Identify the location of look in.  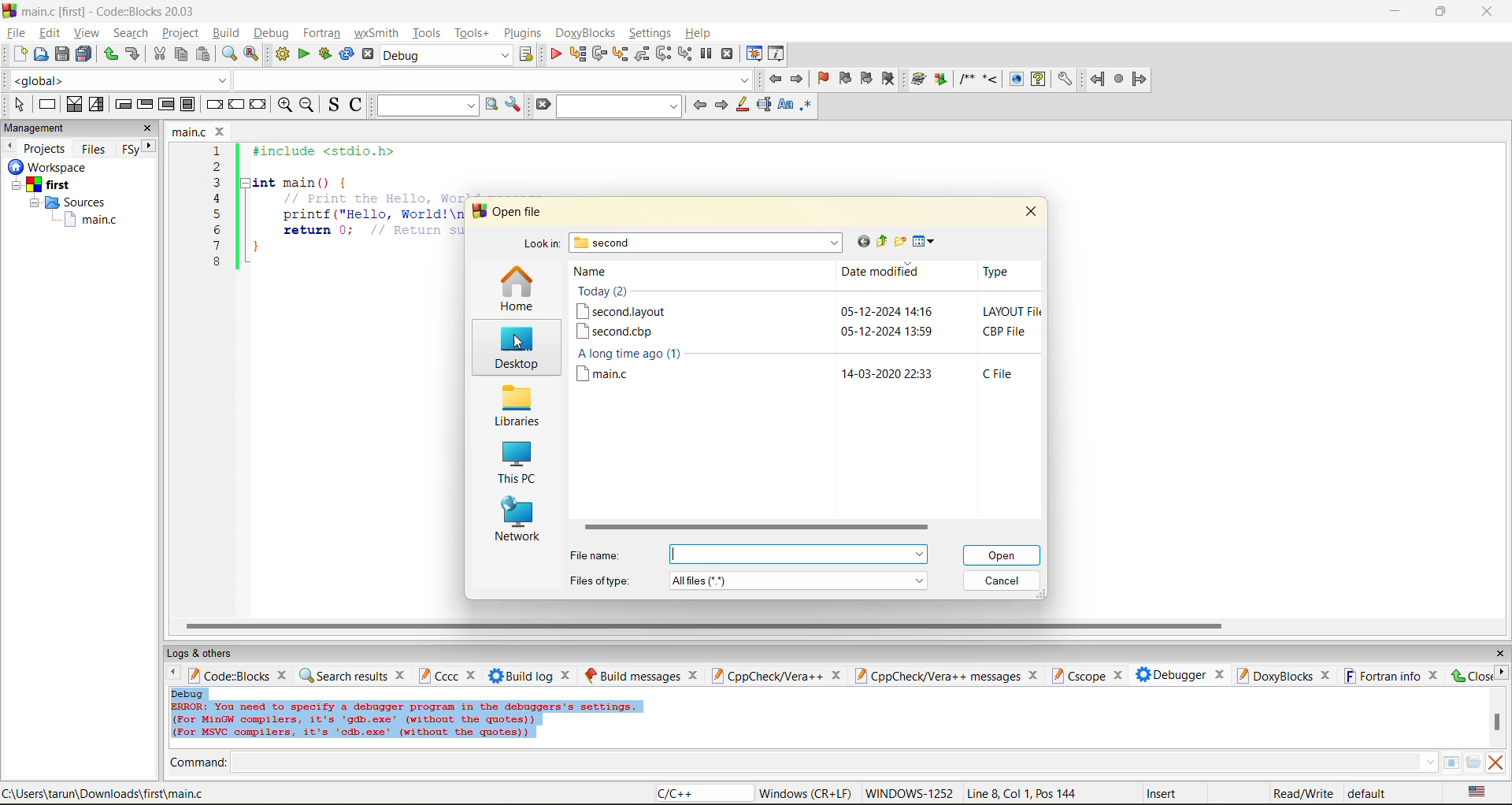
(541, 246).